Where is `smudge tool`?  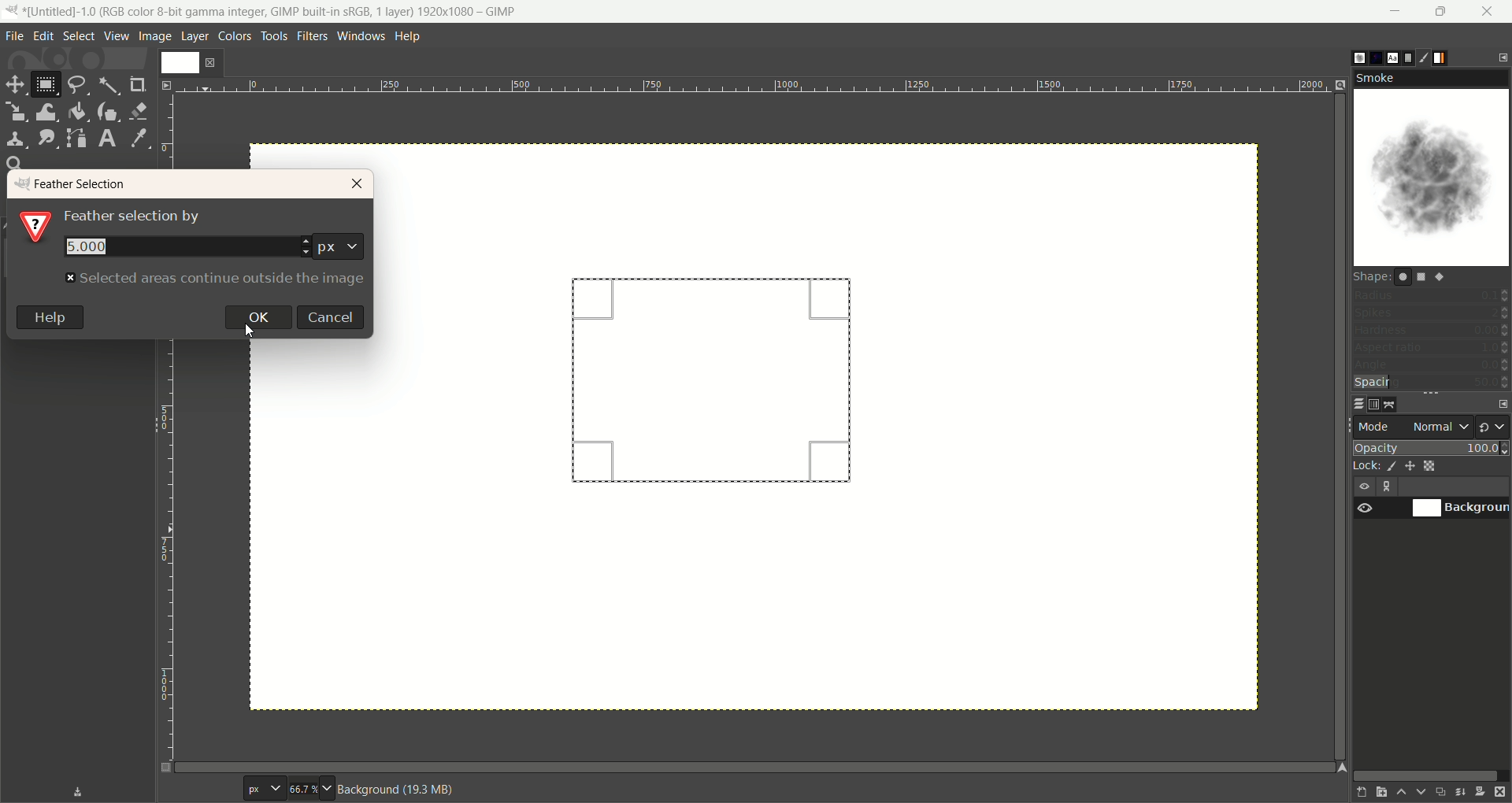 smudge tool is located at coordinates (46, 140).